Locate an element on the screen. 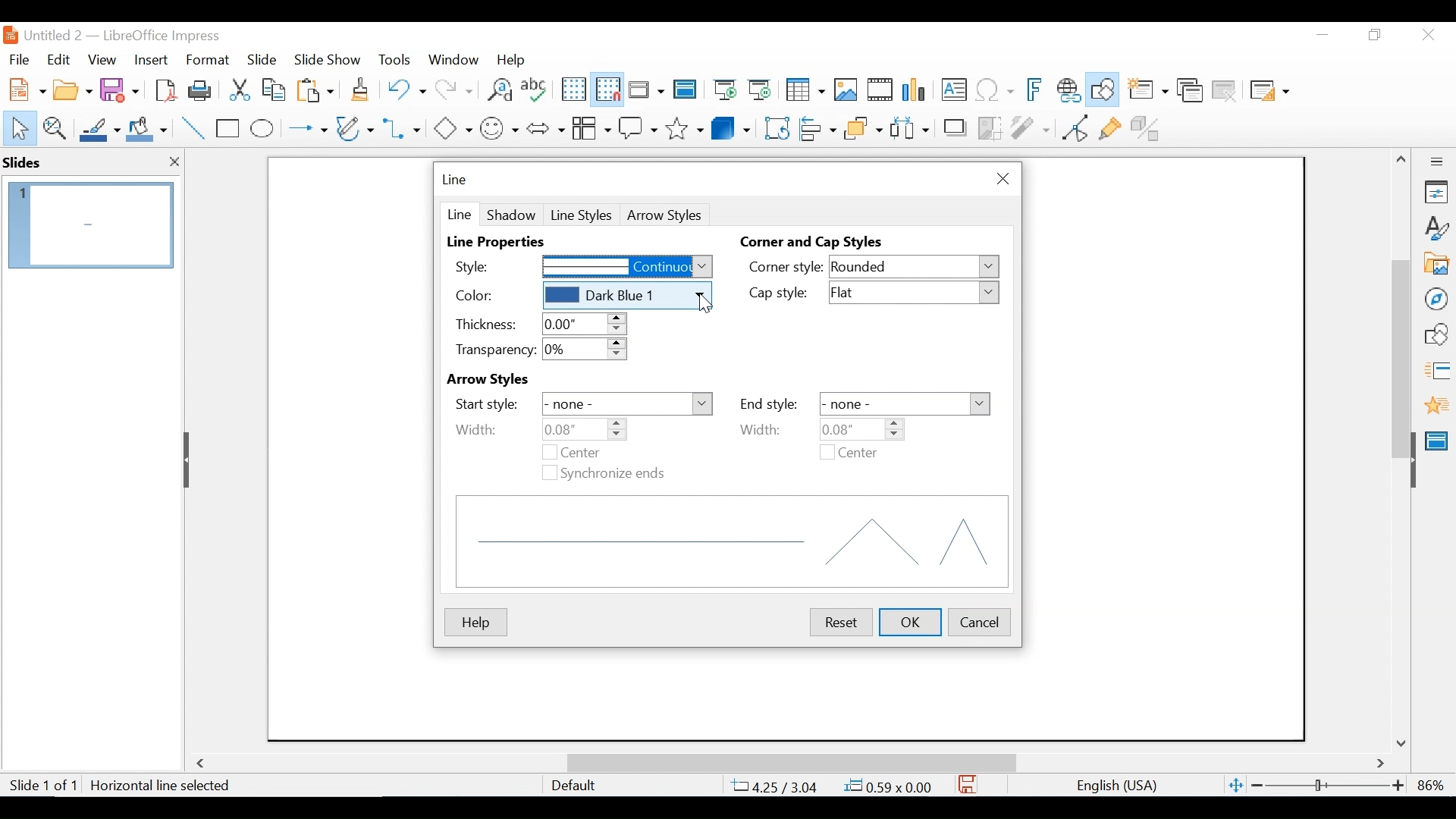 The image size is (1456, 819). Edit is located at coordinates (57, 60).